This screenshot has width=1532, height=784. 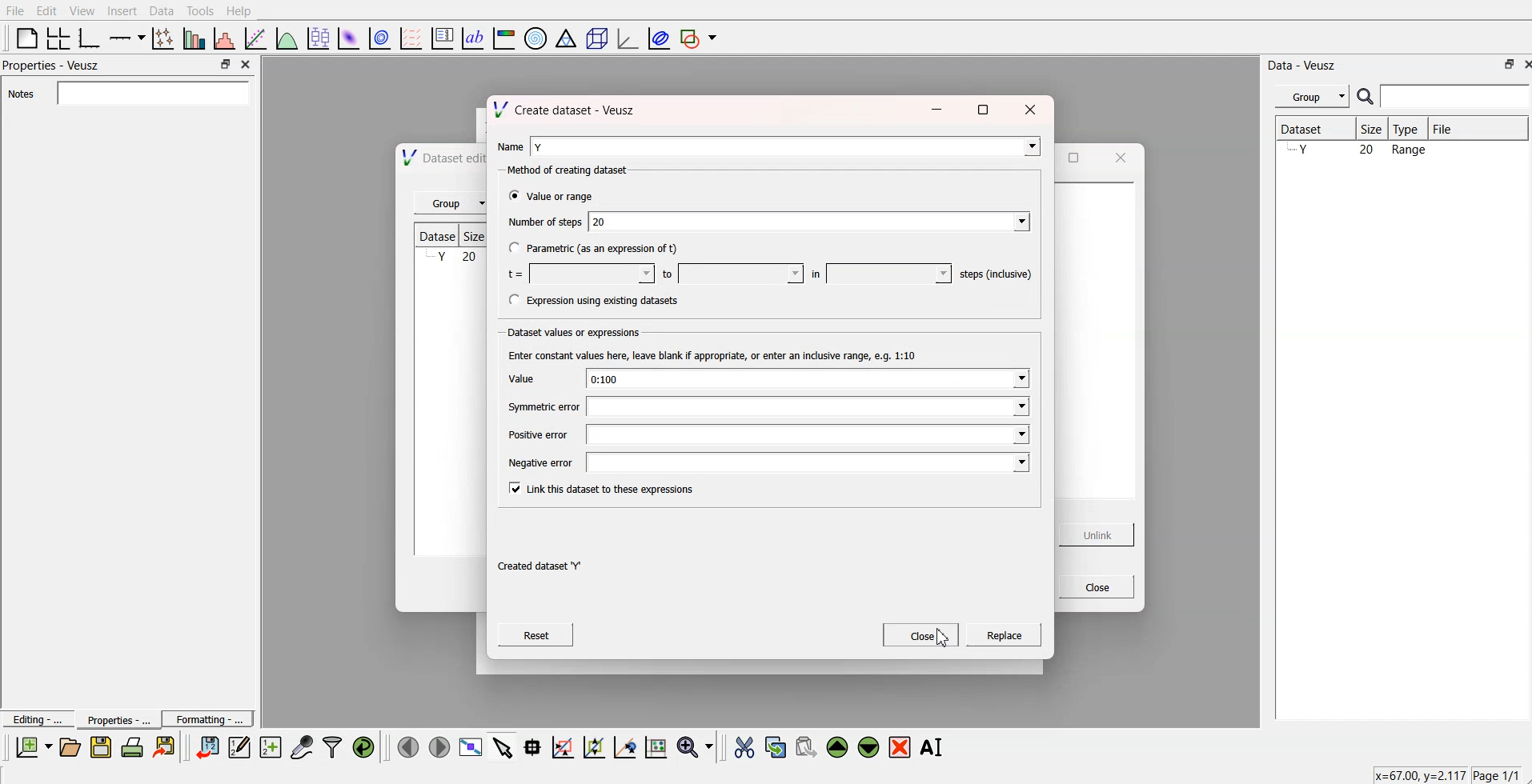 I want to click on Open, so click(x=70, y=746).